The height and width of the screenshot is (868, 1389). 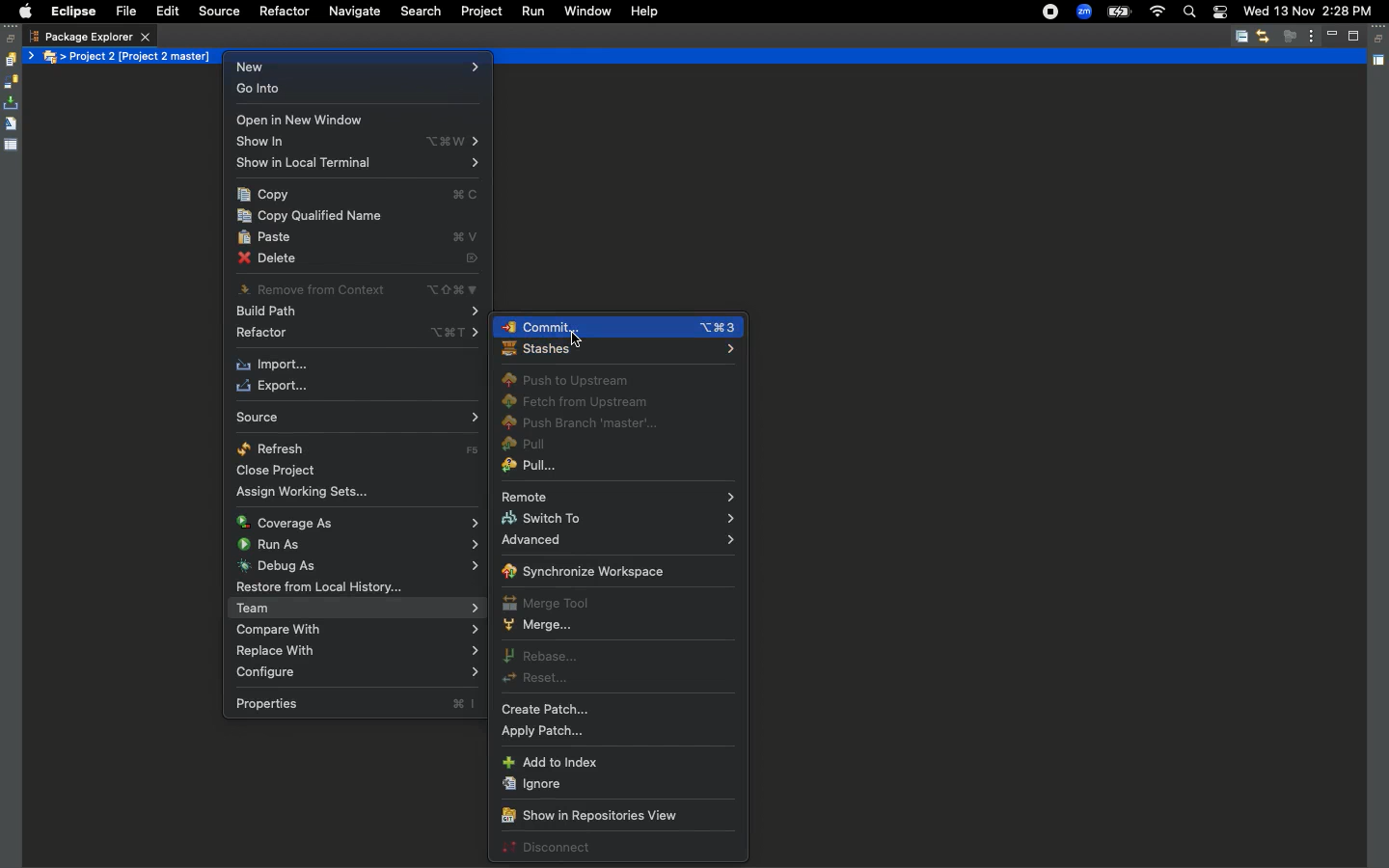 What do you see at coordinates (586, 10) in the screenshot?
I see `Window` at bounding box center [586, 10].